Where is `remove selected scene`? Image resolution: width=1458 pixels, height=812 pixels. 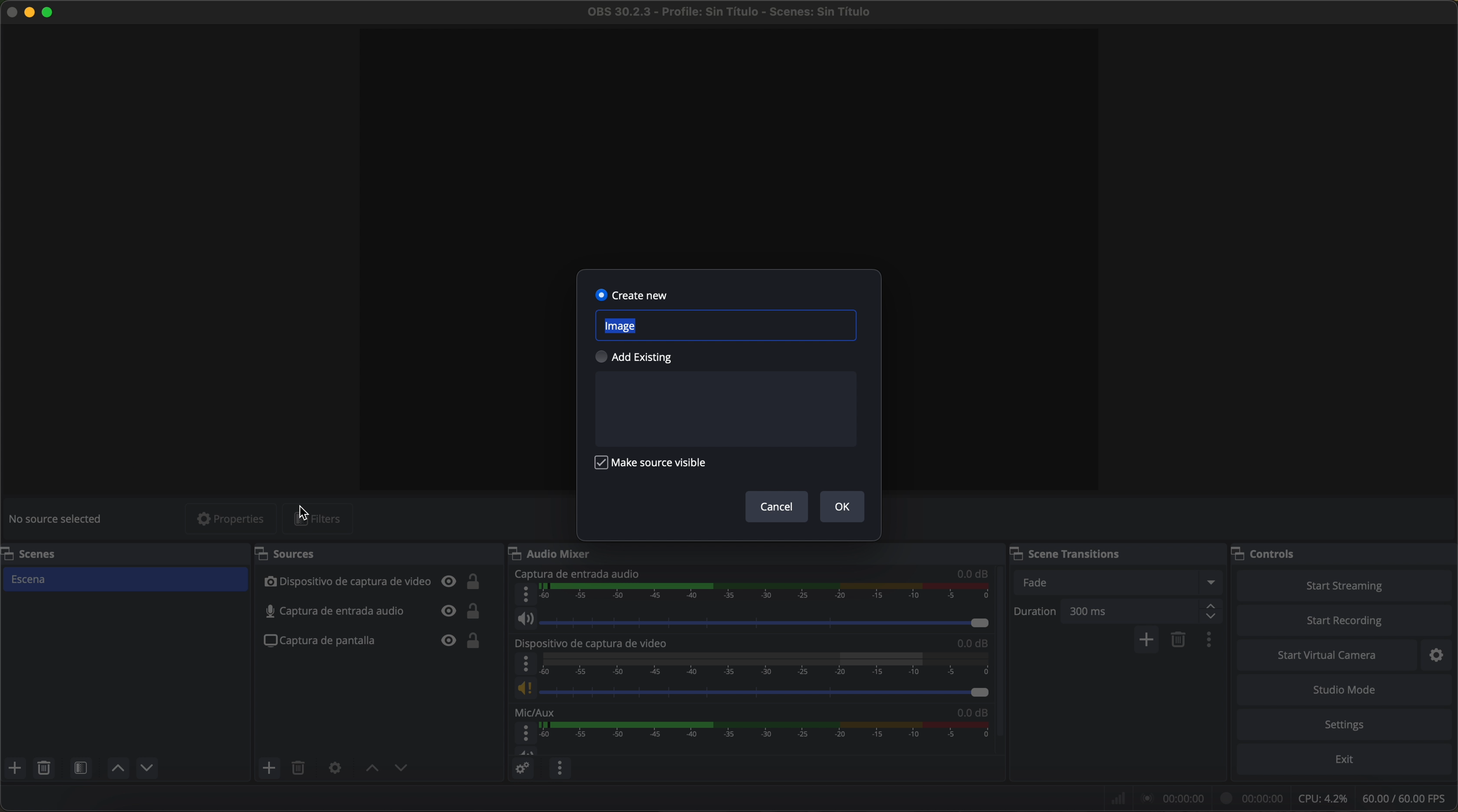
remove selected scene is located at coordinates (44, 768).